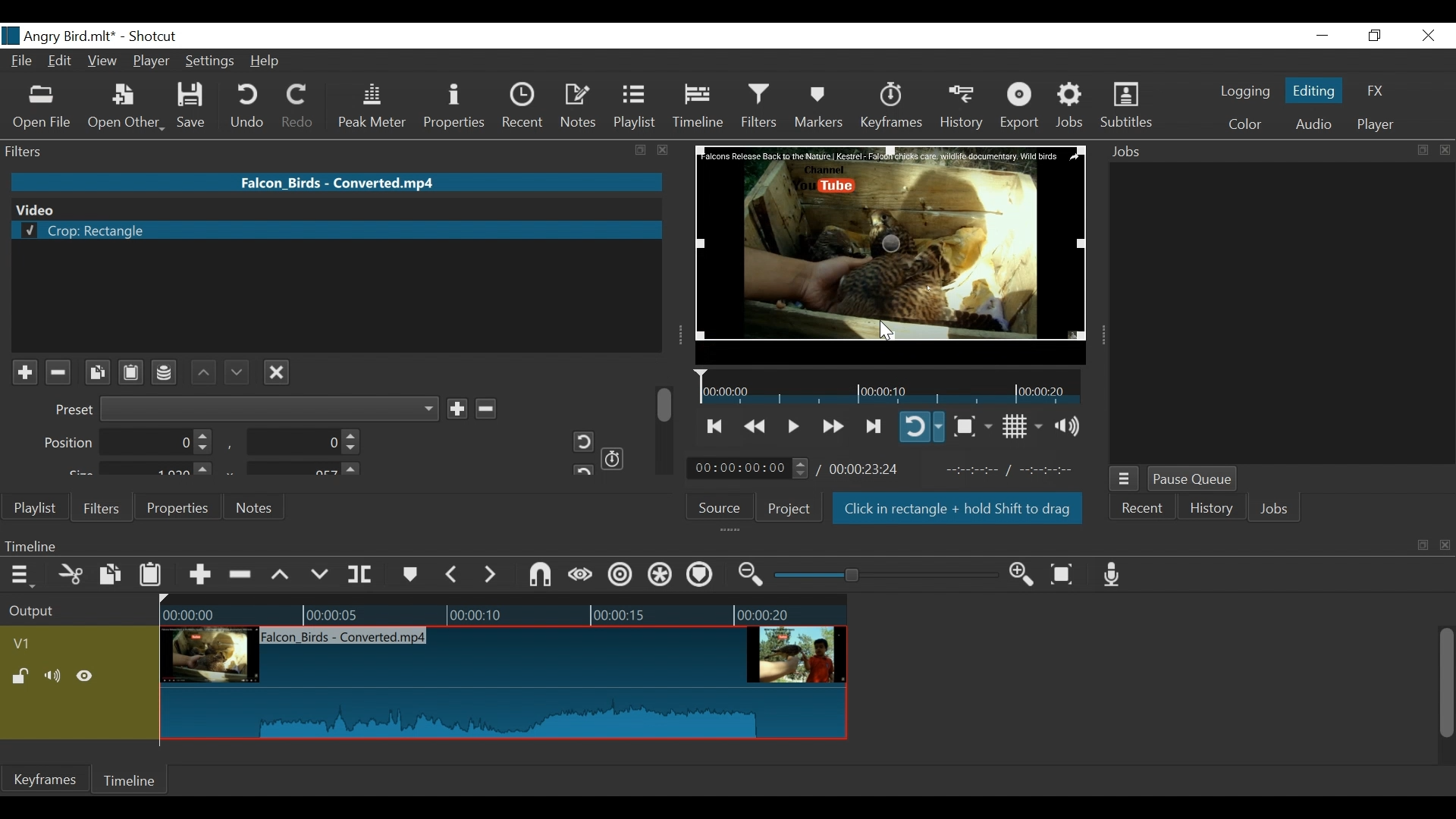 This screenshot has height=819, width=1456. I want to click on logging, so click(1245, 93).